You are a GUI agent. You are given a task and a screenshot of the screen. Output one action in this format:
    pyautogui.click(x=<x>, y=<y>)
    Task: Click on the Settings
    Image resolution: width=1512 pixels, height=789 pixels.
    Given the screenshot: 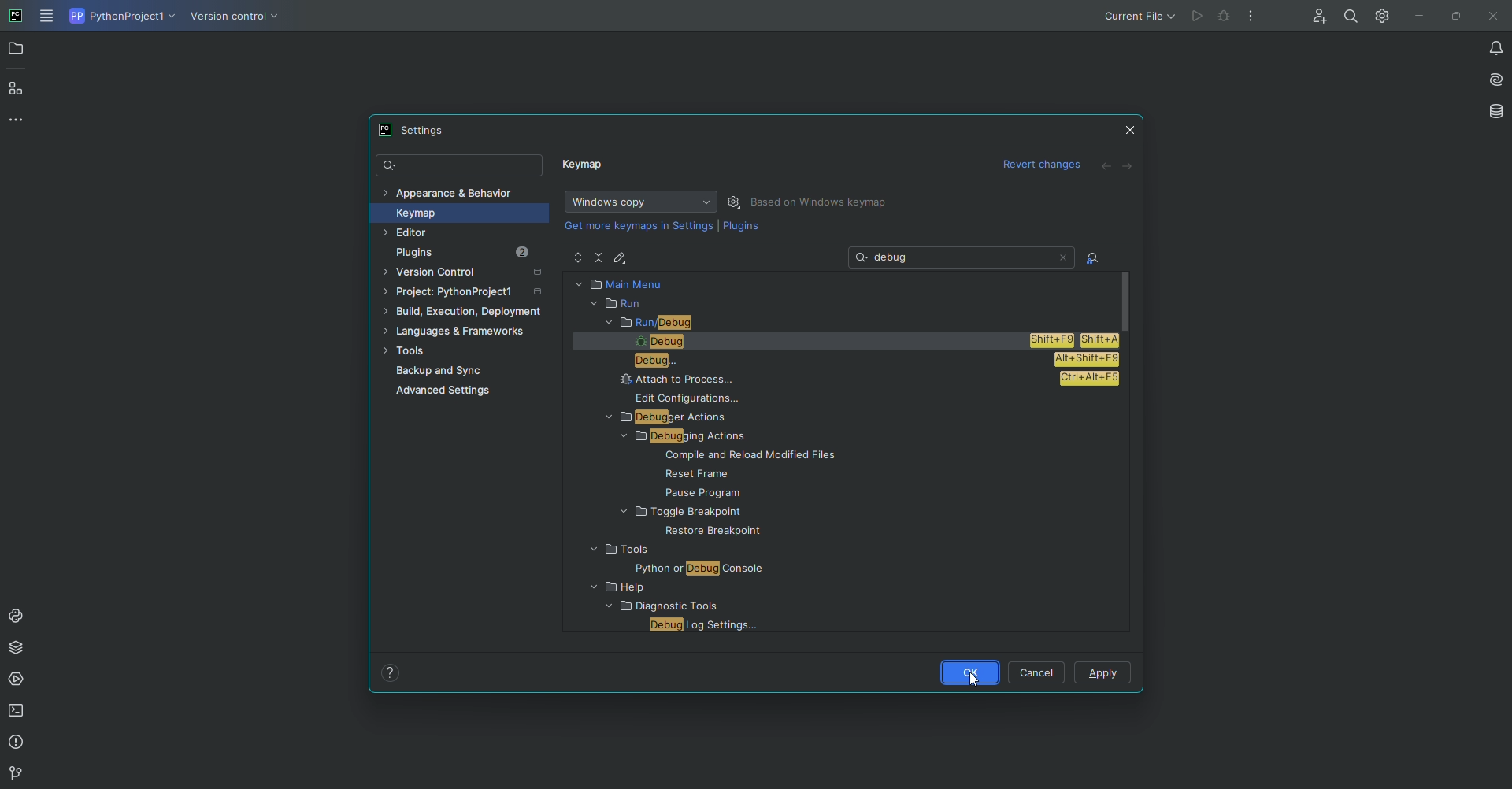 What is the action you would take?
    pyautogui.click(x=418, y=130)
    